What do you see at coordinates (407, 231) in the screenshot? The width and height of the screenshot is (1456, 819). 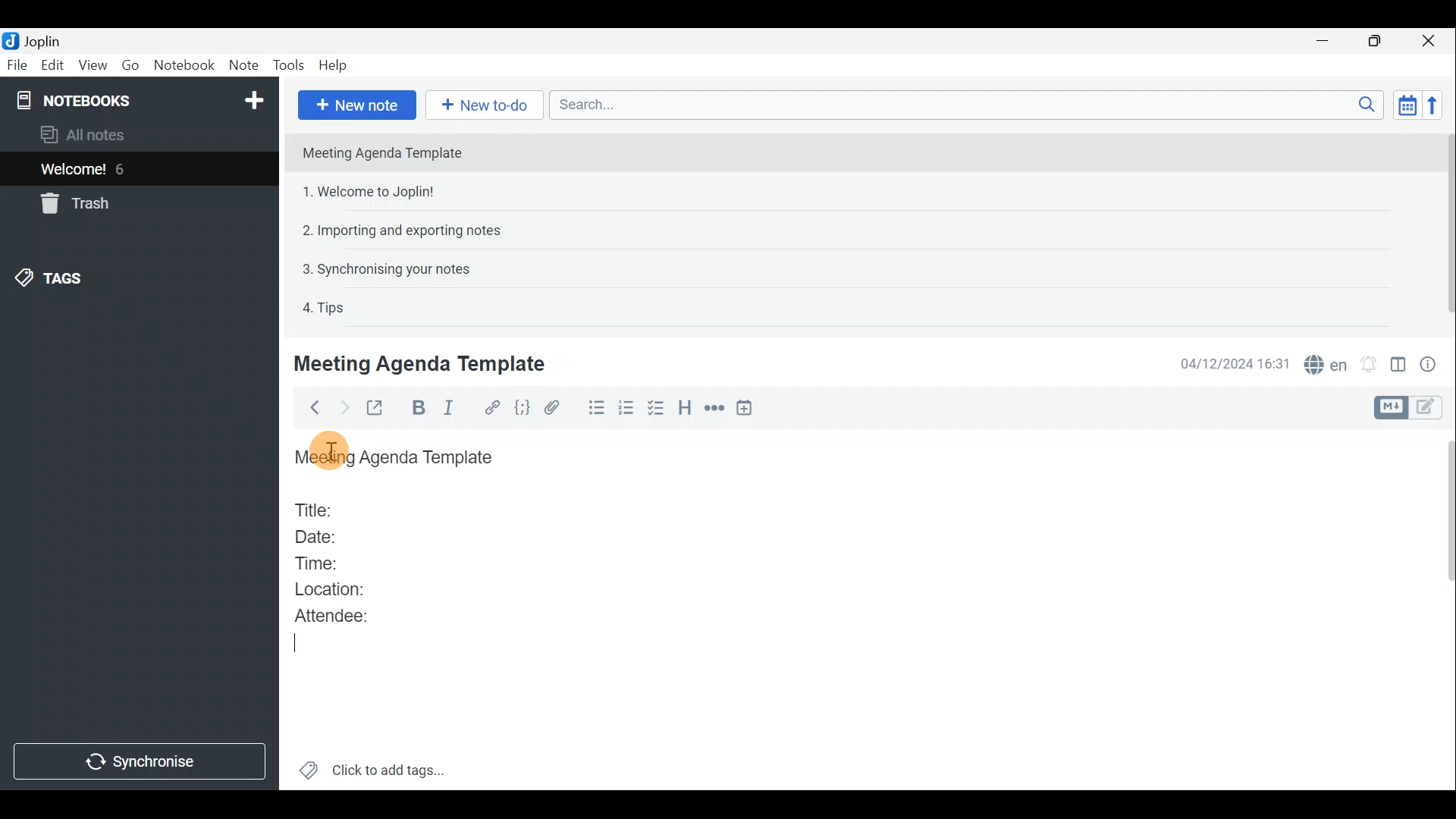 I see `2. Importing and exporting notes` at bounding box center [407, 231].